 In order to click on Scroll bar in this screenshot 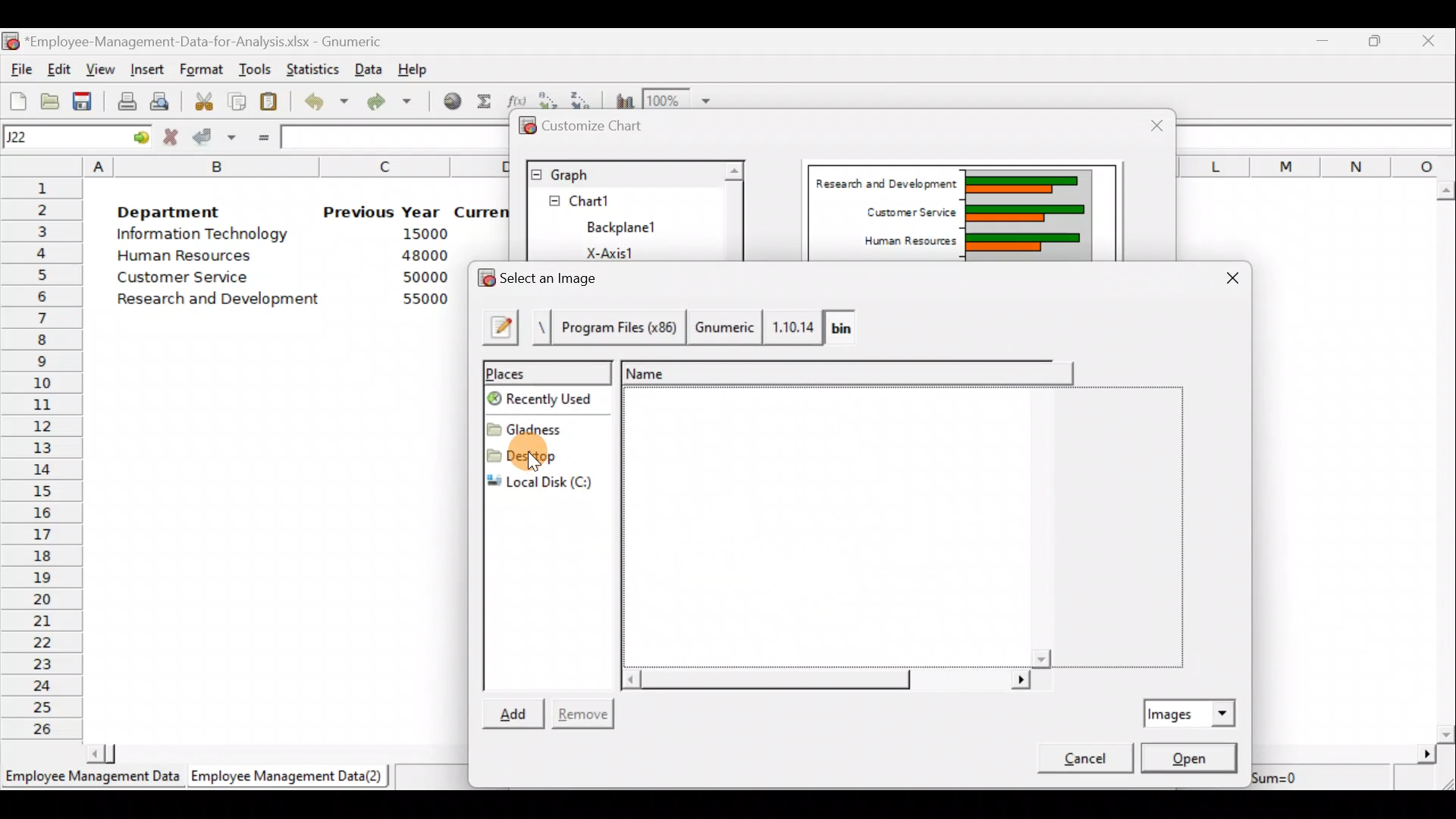, I will do `click(733, 210)`.